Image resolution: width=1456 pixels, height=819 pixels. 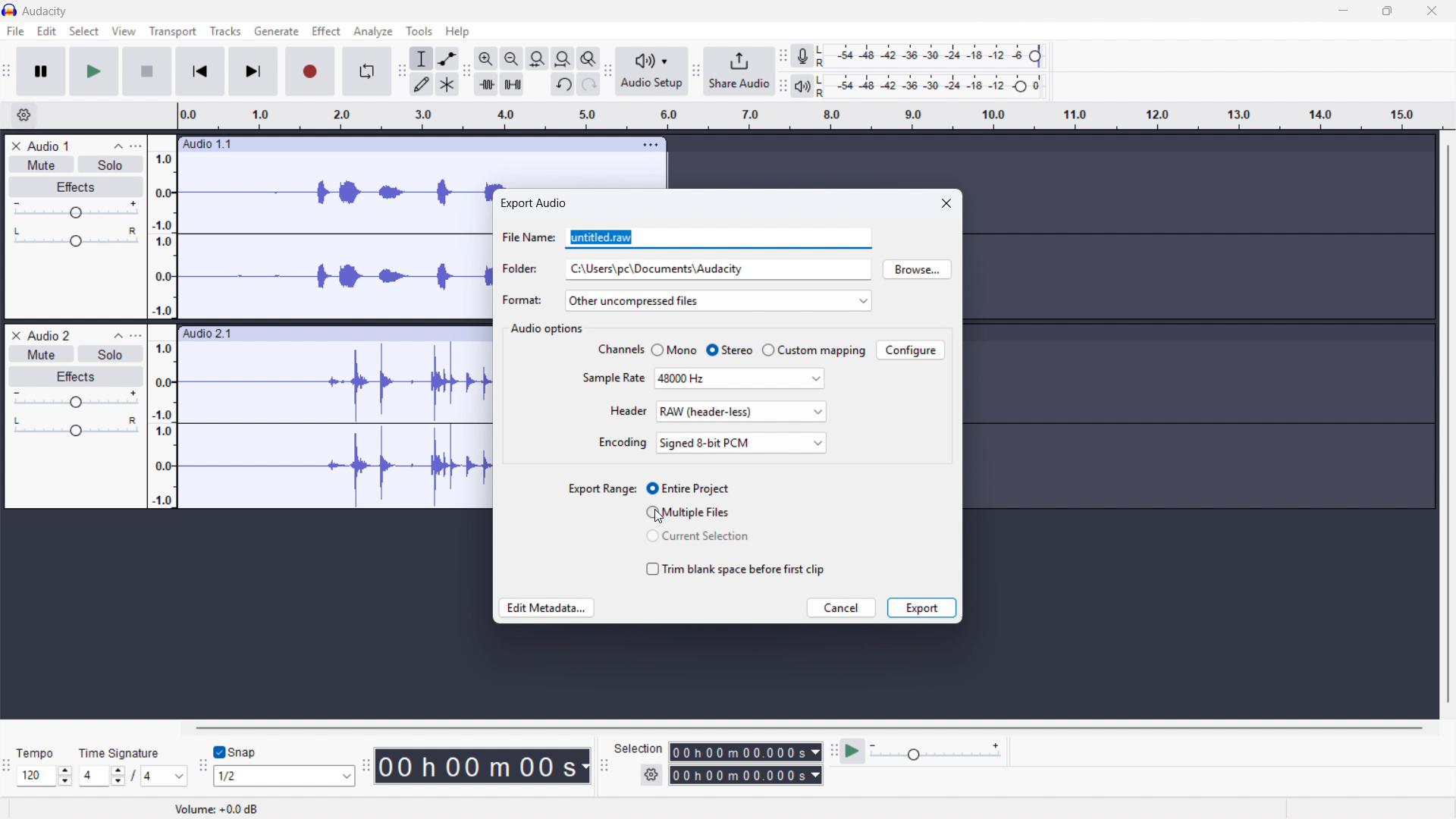 I want to click on Timeline , so click(x=811, y=116).